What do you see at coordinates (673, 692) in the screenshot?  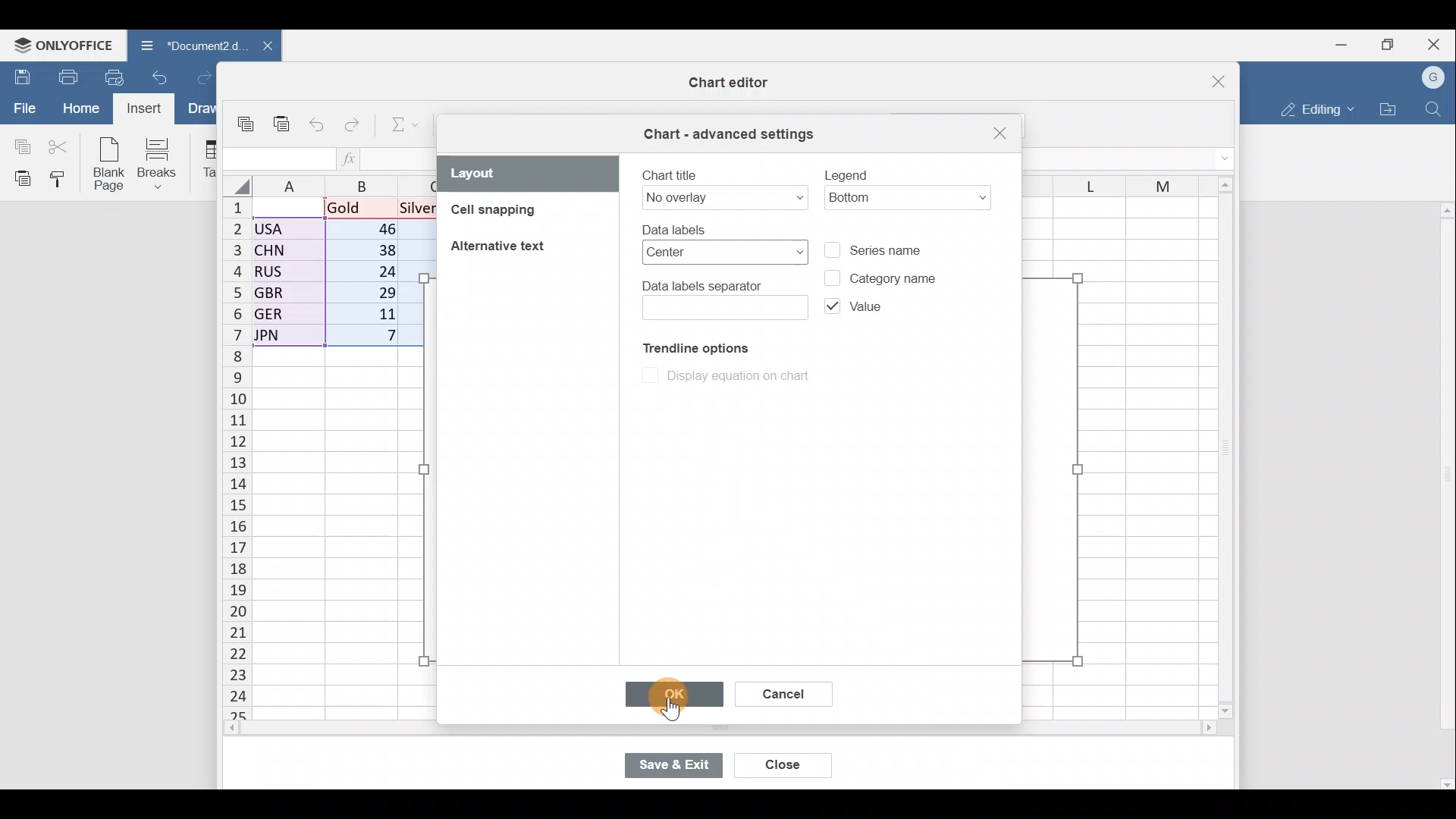 I see `Cursor on OK` at bounding box center [673, 692].